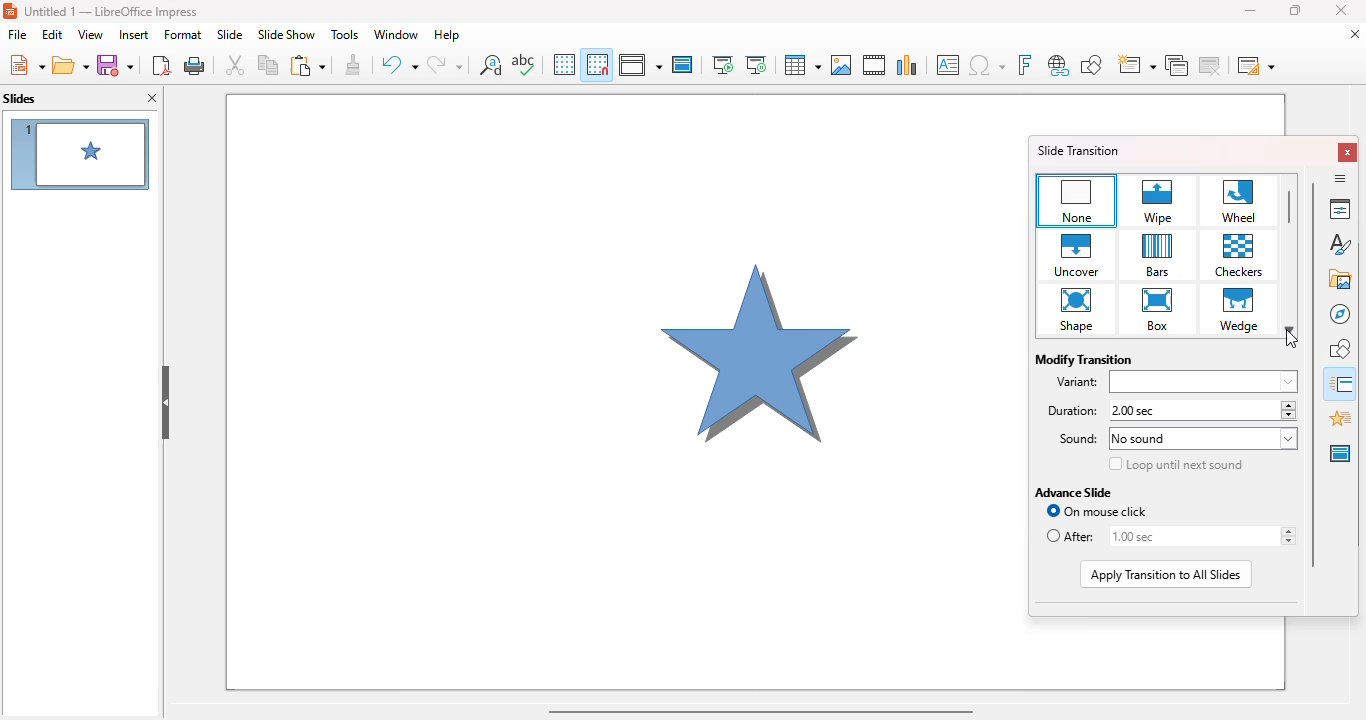 This screenshot has width=1366, height=720. Describe the element at coordinates (1287, 542) in the screenshot. I see `decrease after time` at that location.